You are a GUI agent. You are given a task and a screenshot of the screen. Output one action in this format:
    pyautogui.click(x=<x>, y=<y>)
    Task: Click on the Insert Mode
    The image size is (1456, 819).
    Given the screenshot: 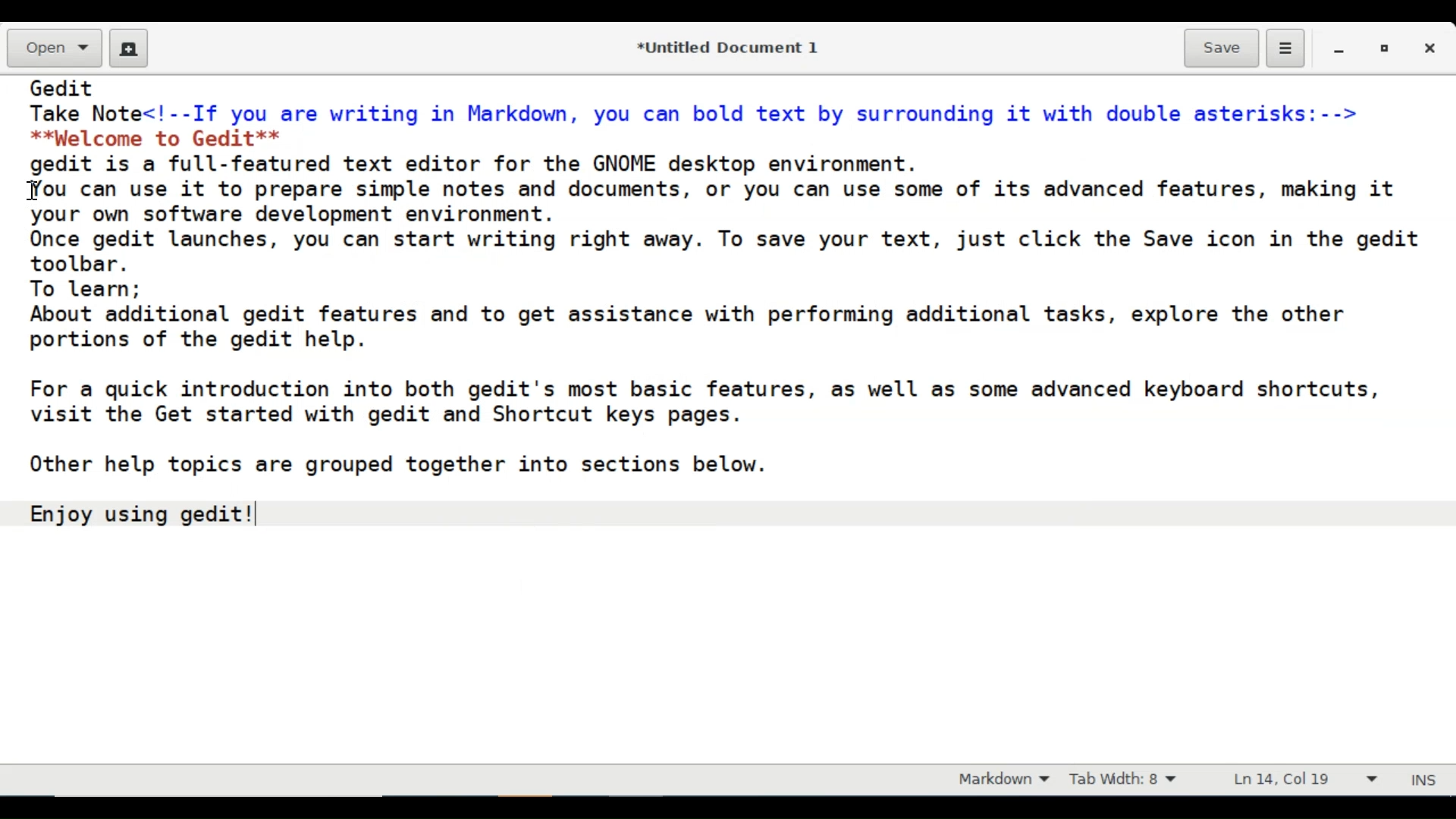 What is the action you would take?
    pyautogui.click(x=1426, y=777)
    